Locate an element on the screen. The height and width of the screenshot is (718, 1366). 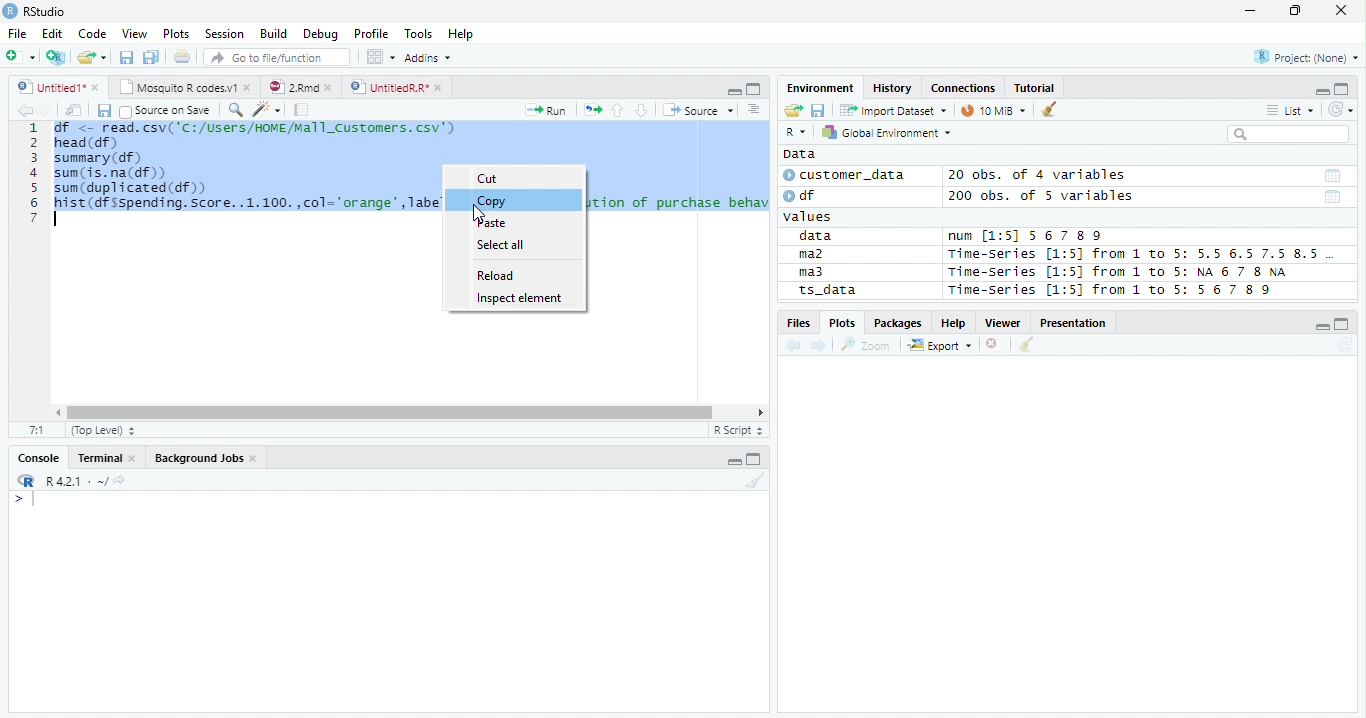
customer_data is located at coordinates (848, 175).